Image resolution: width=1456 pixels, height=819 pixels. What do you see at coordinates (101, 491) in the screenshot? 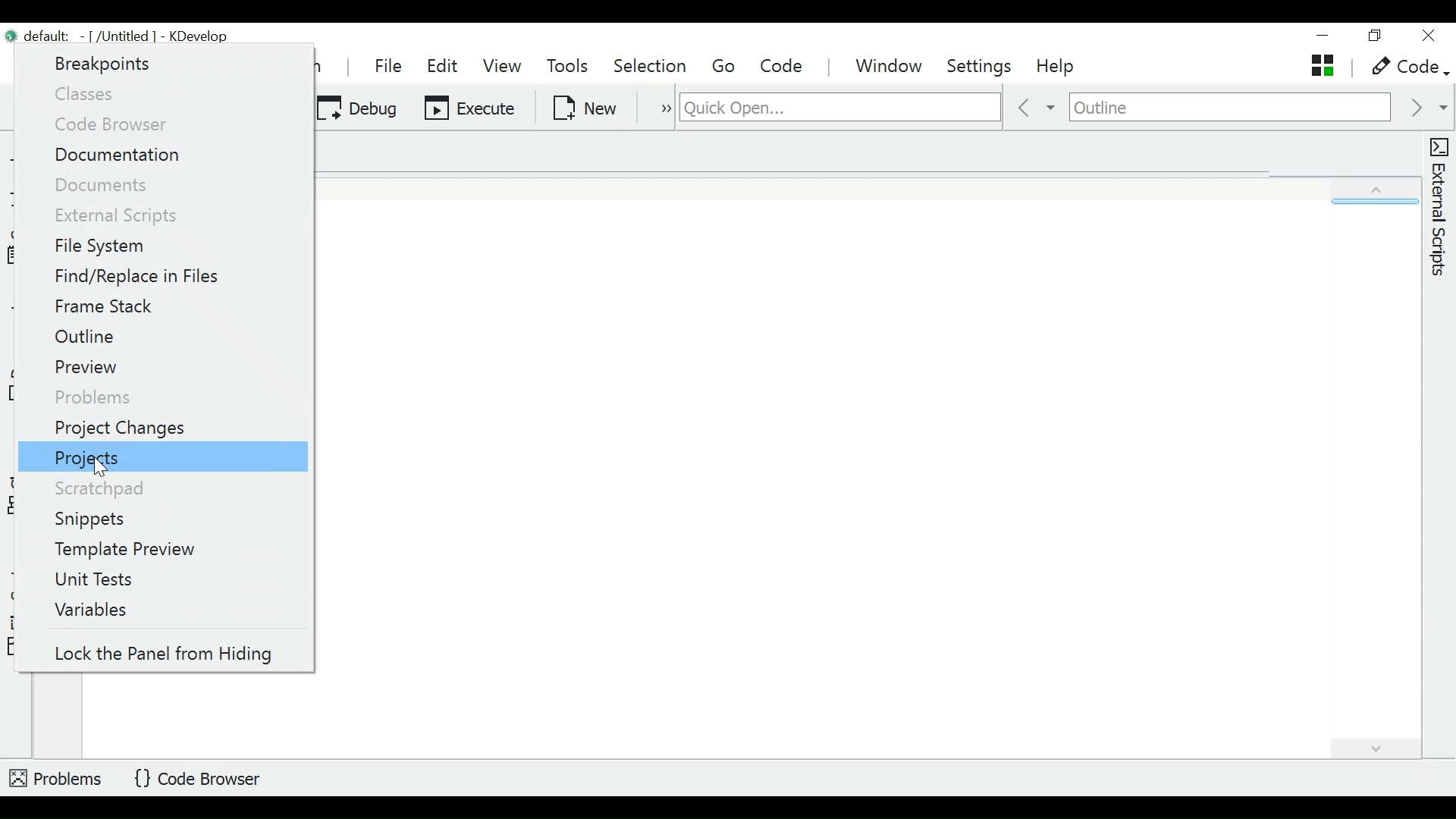
I see `Scratchpad` at bounding box center [101, 491].